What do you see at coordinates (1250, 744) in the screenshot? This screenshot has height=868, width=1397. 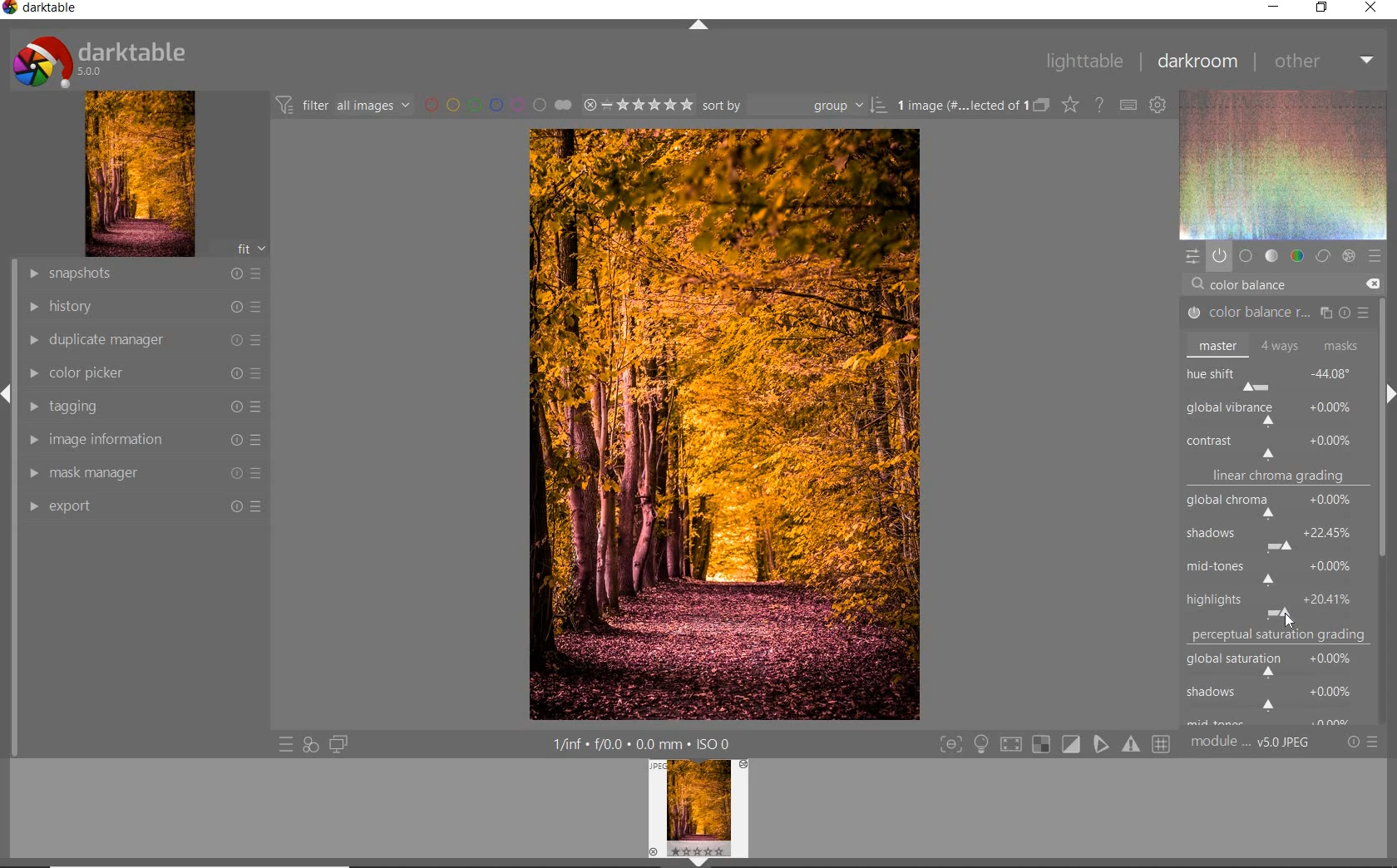 I see `module order` at bounding box center [1250, 744].